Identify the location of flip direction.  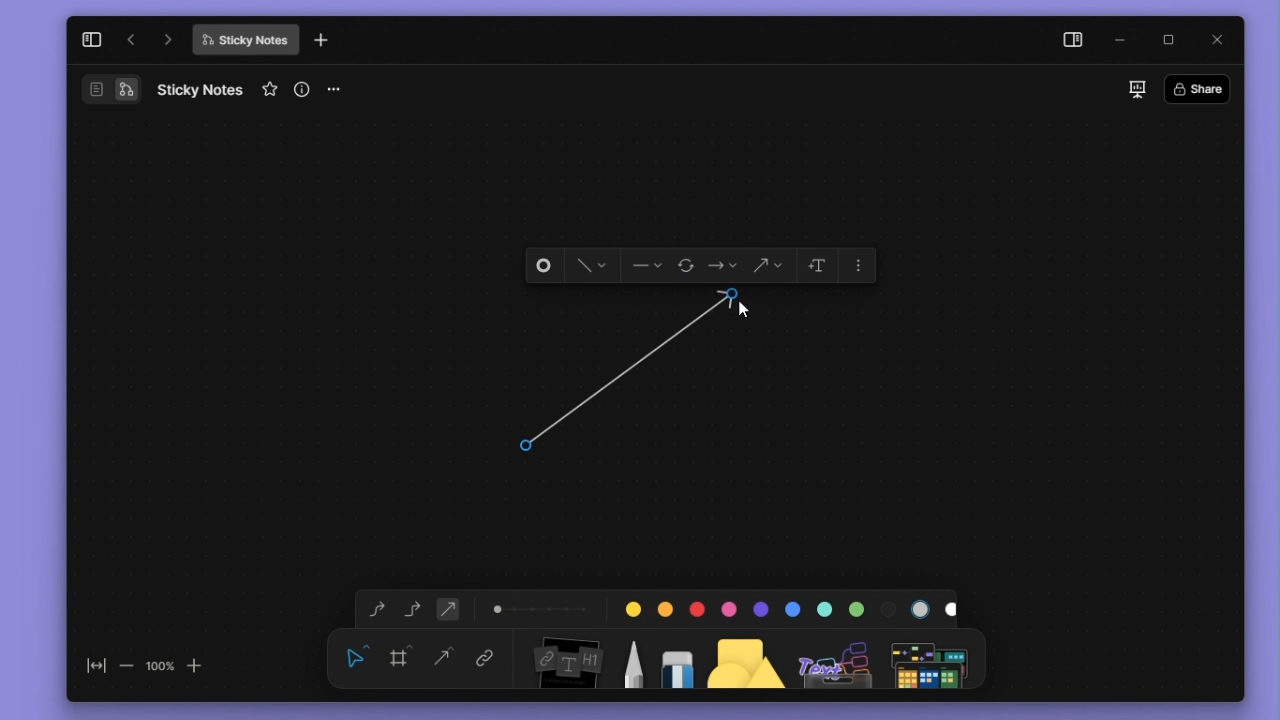
(688, 267).